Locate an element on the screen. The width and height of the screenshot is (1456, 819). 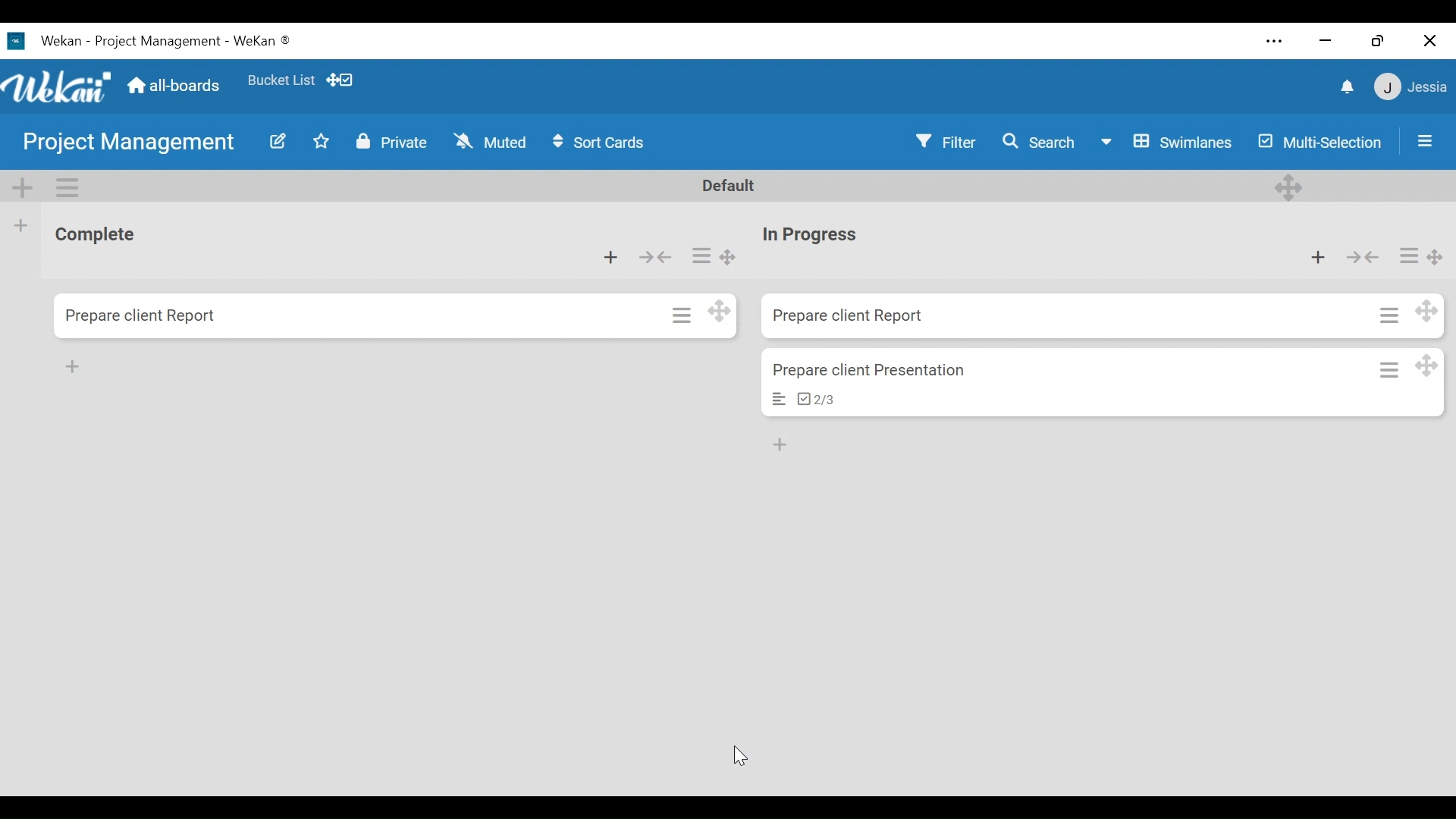
Desktop drag handle is located at coordinates (1427, 309).